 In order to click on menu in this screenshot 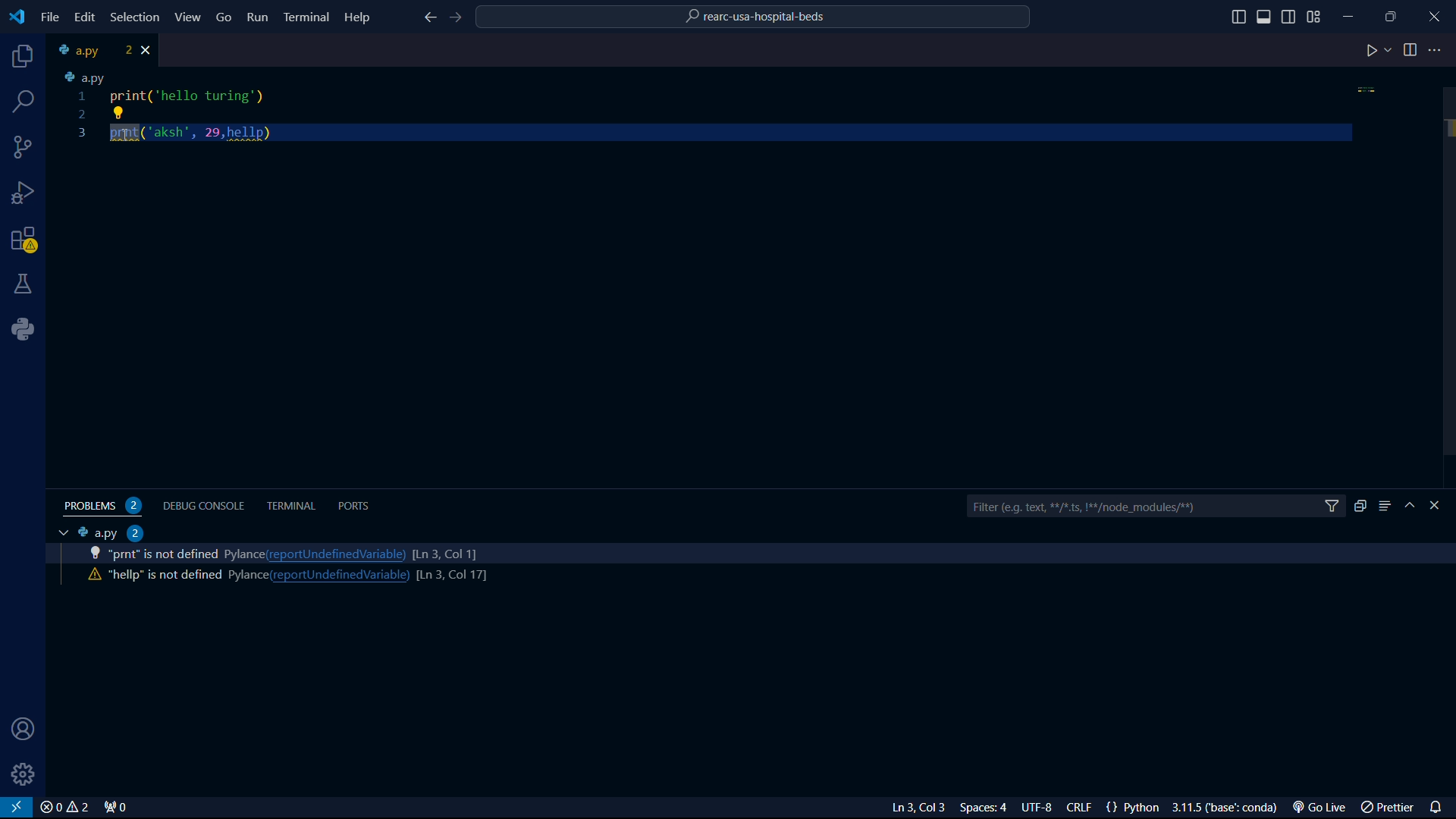, I will do `click(1385, 506)`.